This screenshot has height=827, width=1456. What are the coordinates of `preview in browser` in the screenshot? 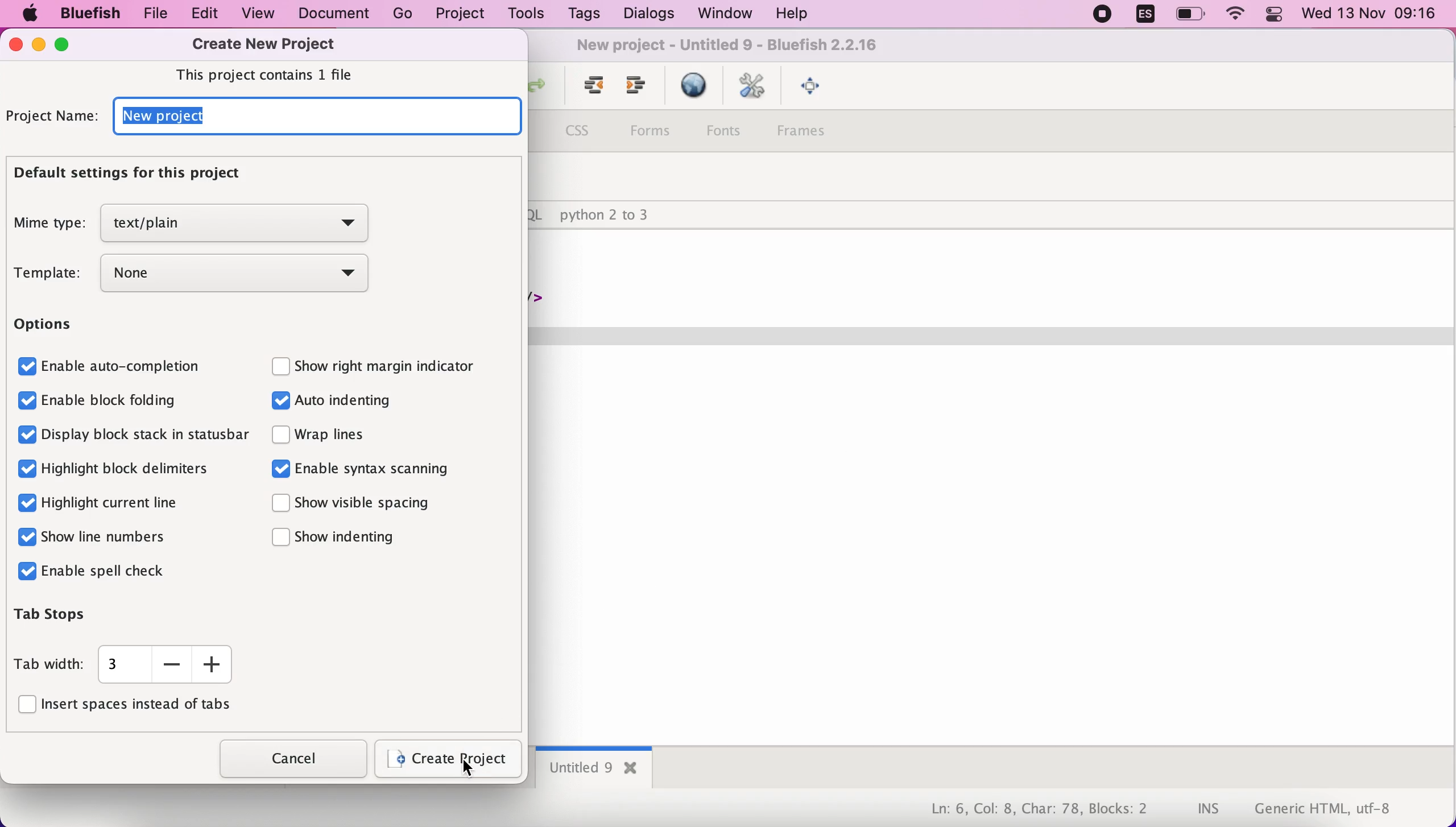 It's located at (693, 86).